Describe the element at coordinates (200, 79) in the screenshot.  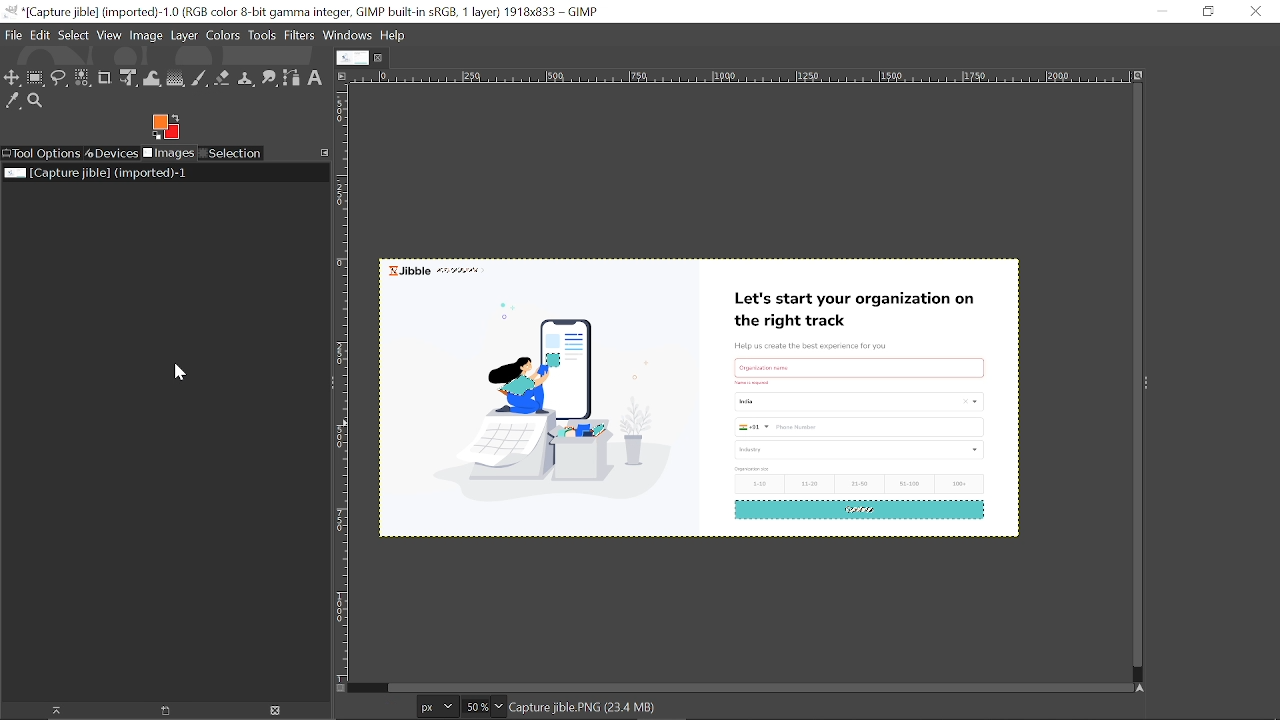
I see `Paintbrush tool` at that location.